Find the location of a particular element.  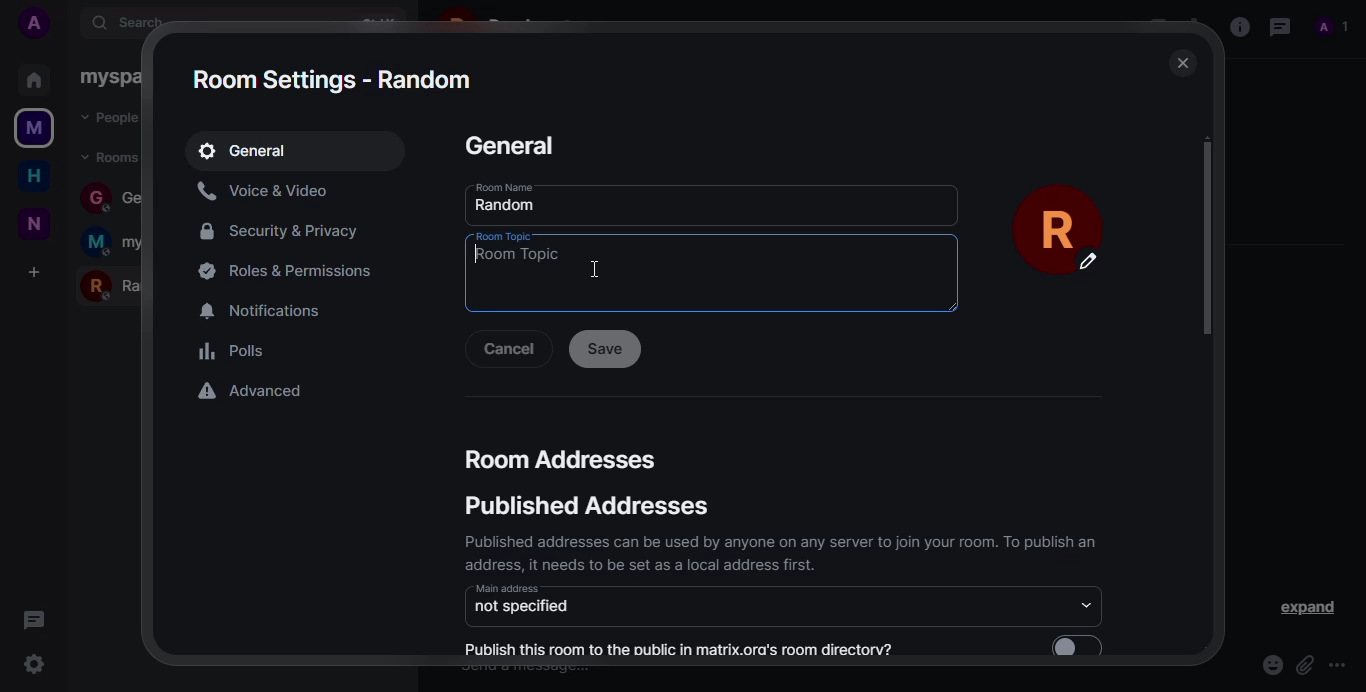

main address is located at coordinates (508, 589).